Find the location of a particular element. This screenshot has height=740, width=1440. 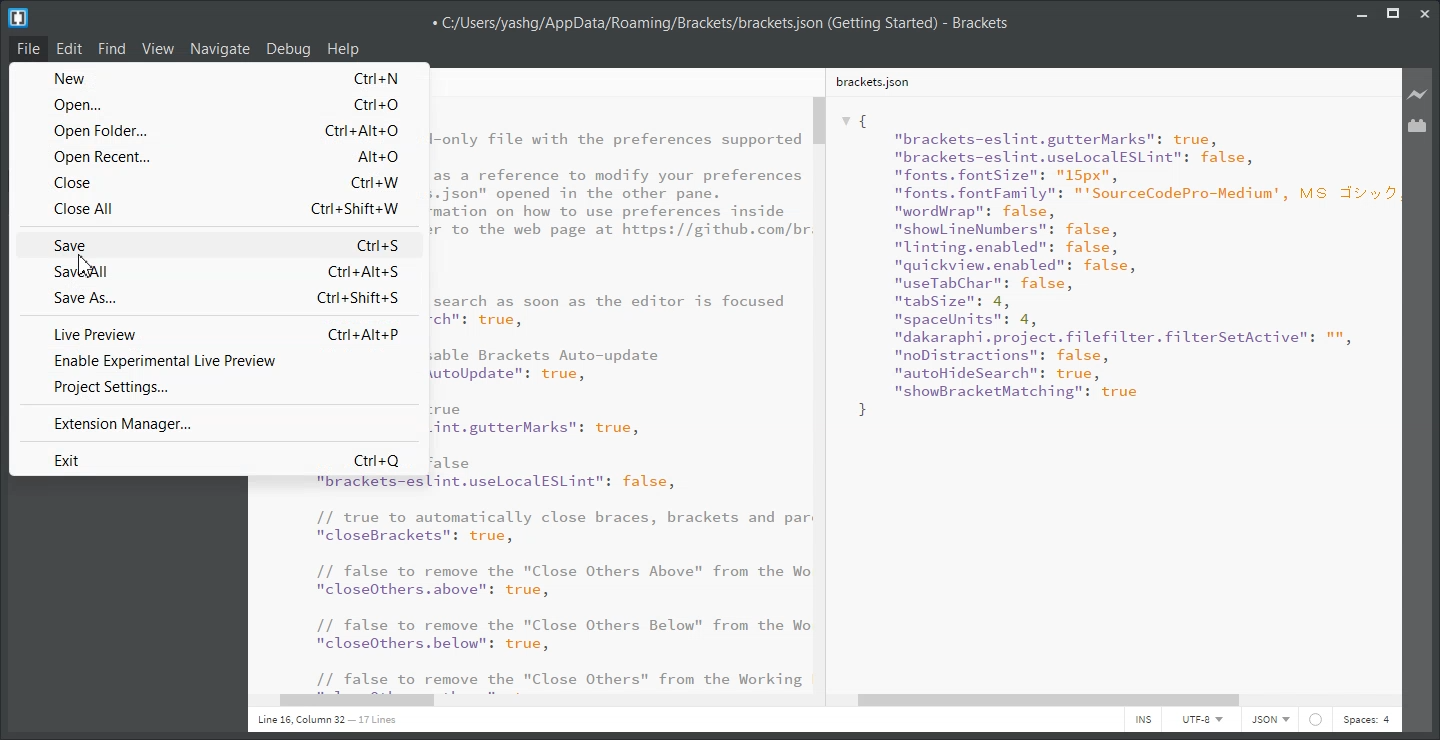

Save all    Ctrl+Alt+S is located at coordinates (220, 272).